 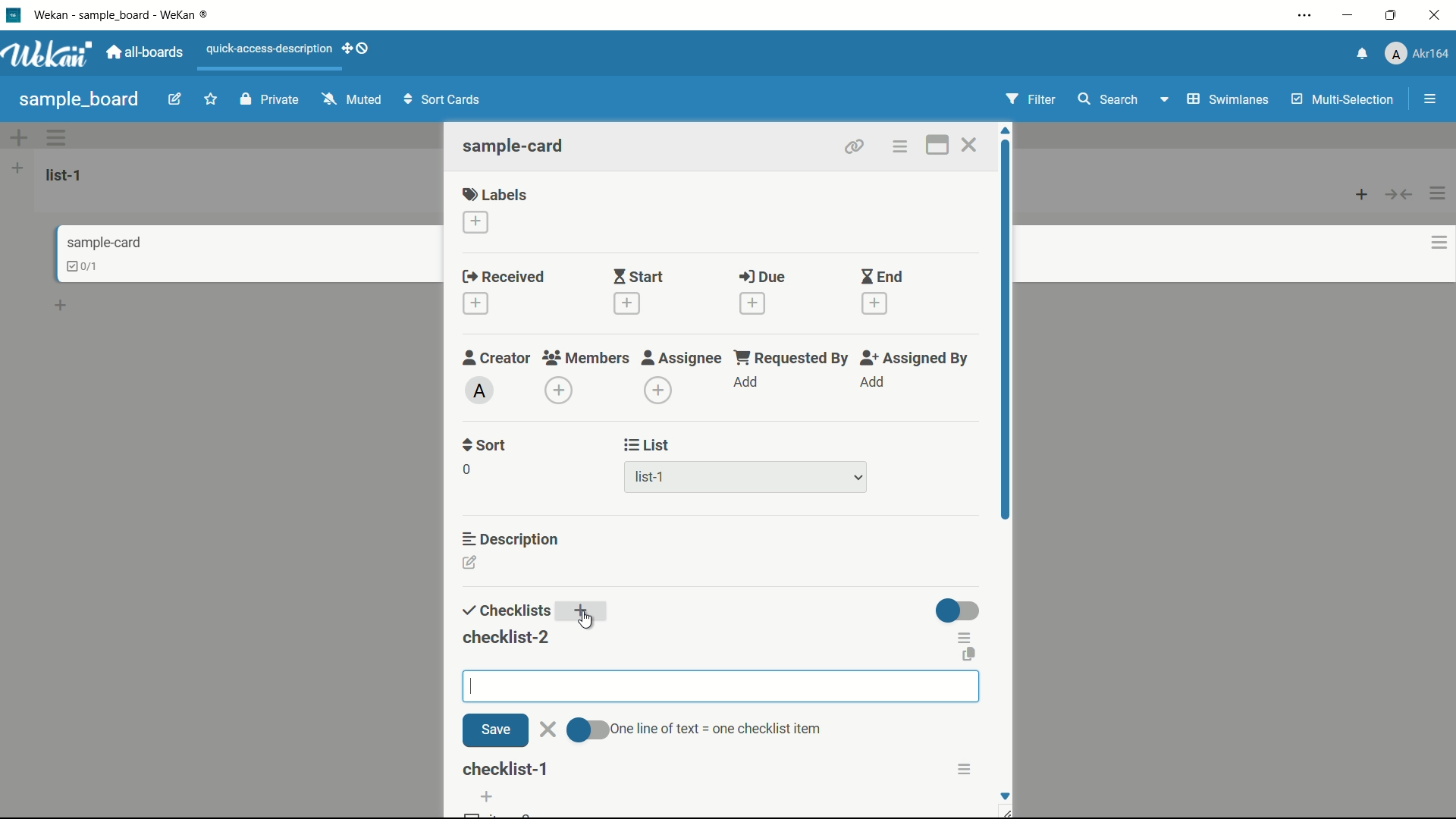 What do you see at coordinates (213, 101) in the screenshot?
I see `star` at bounding box center [213, 101].